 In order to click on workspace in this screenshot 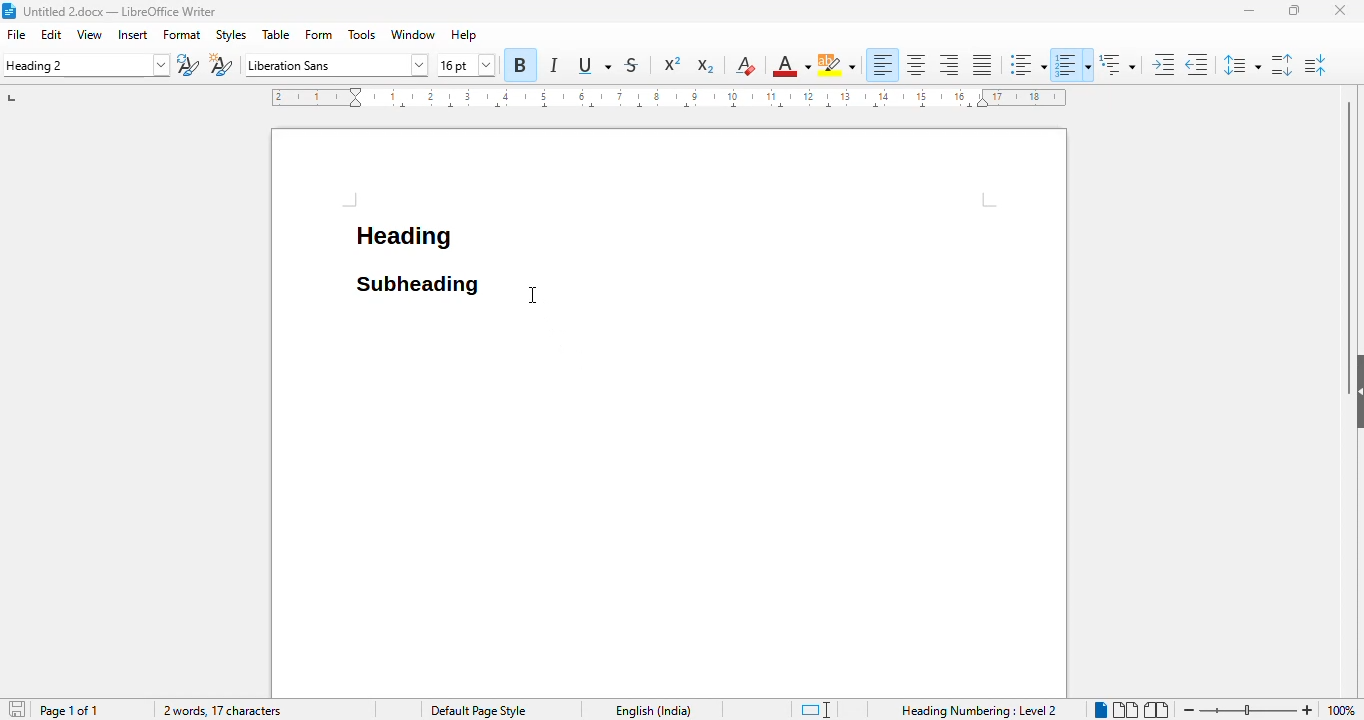, I will do `click(670, 410)`.